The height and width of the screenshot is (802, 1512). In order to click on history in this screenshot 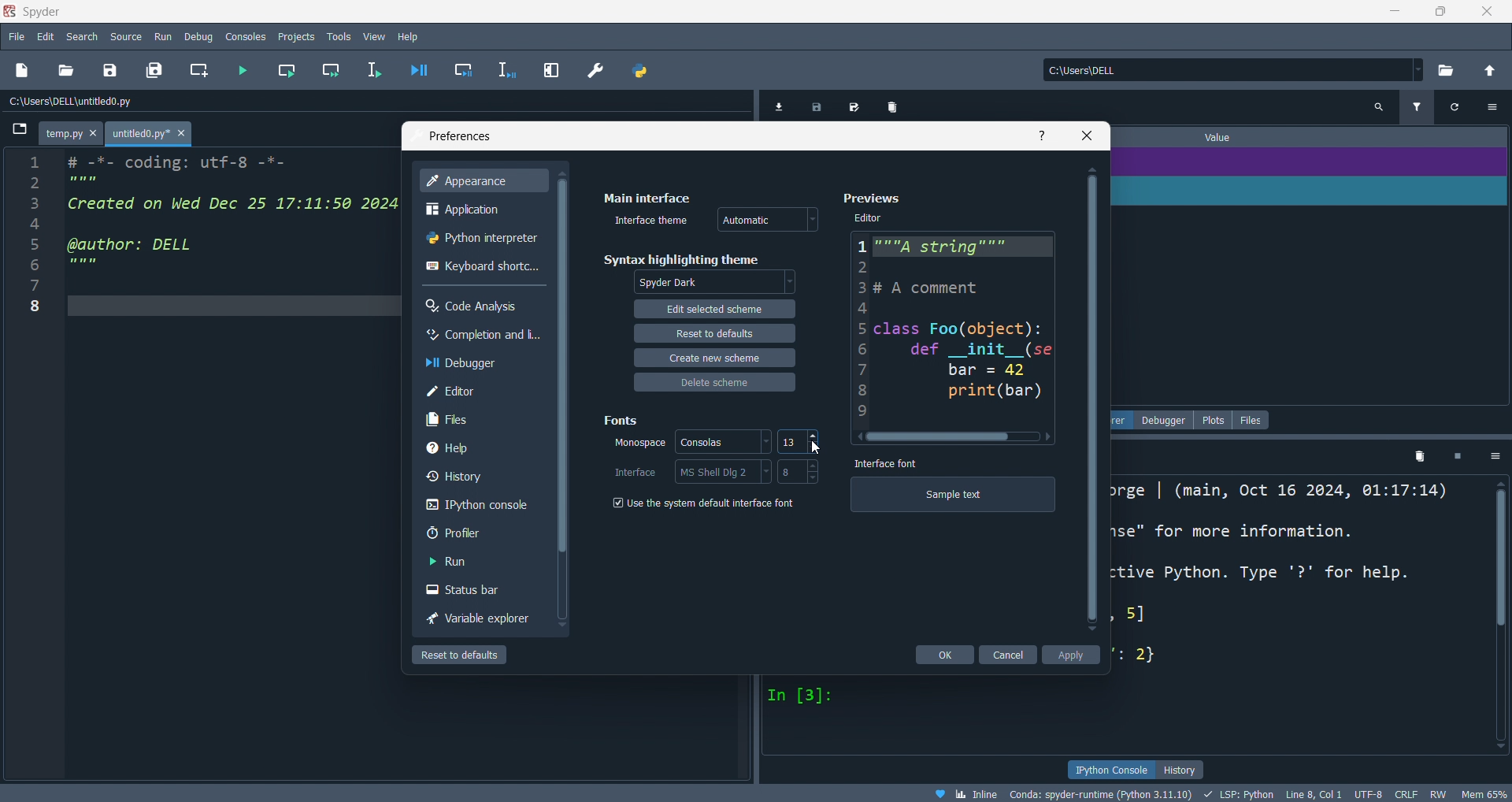, I will do `click(484, 471)`.